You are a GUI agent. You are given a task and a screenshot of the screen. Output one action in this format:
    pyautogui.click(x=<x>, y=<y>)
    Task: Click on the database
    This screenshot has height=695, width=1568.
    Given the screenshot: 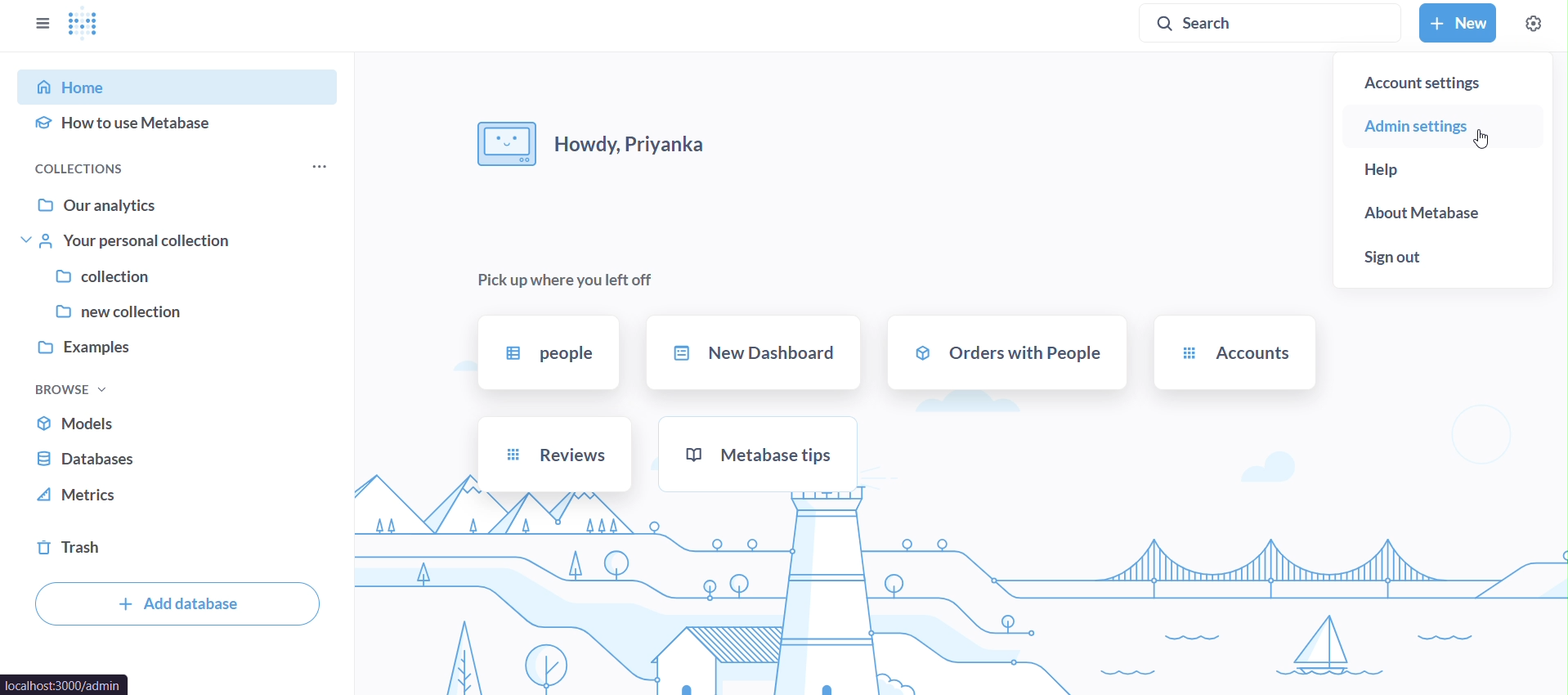 What is the action you would take?
    pyautogui.click(x=175, y=460)
    